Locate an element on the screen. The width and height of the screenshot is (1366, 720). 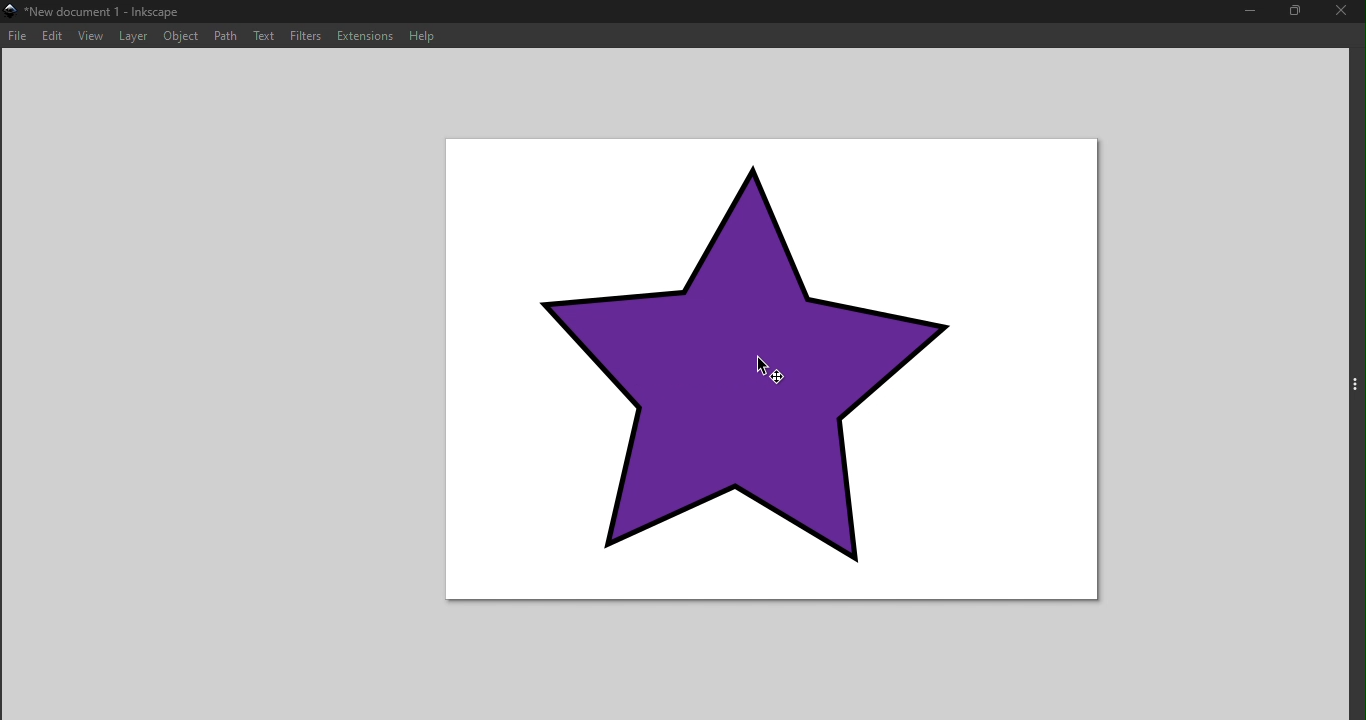
Path is located at coordinates (228, 34).